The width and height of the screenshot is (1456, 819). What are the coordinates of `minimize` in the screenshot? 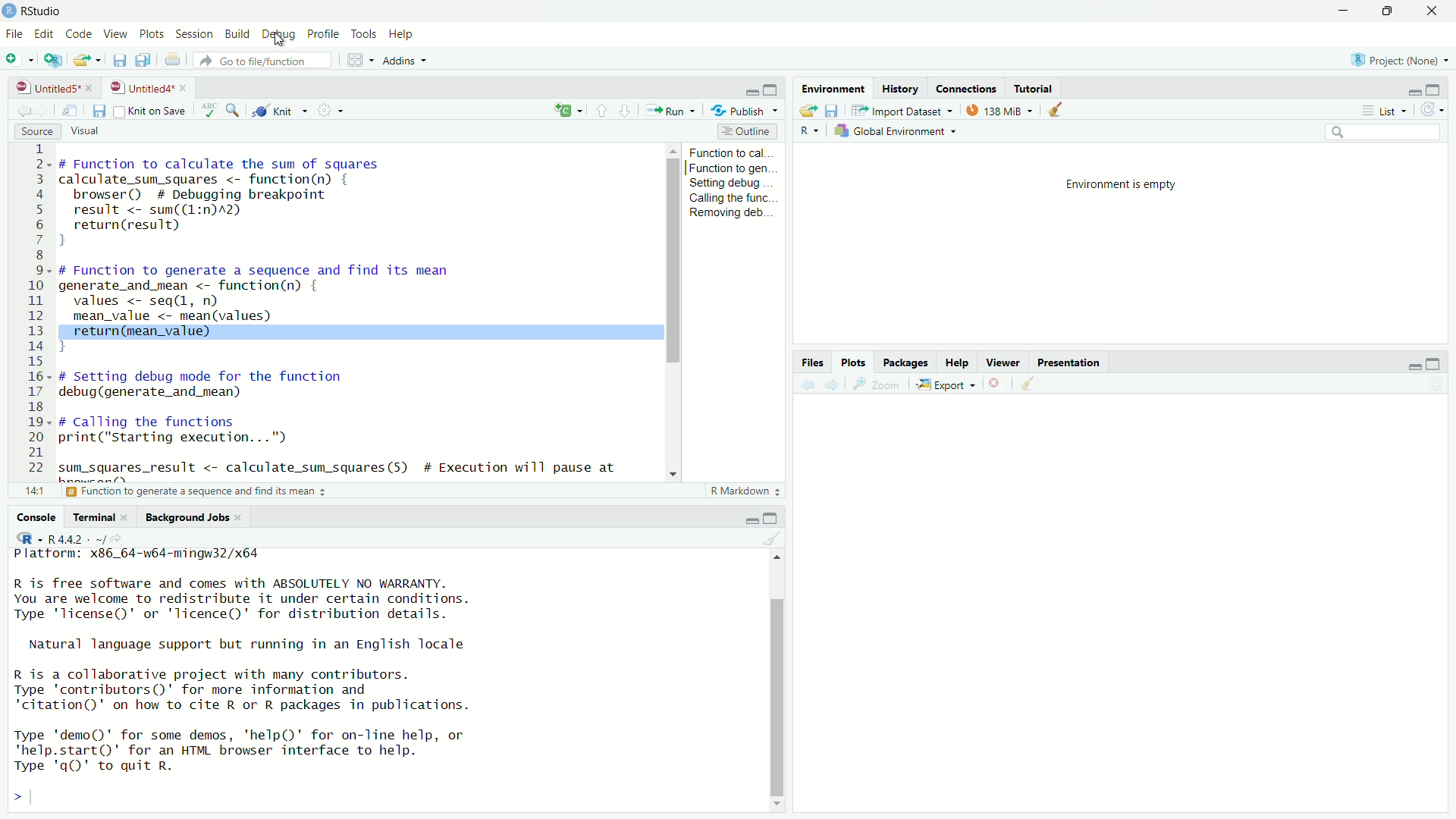 It's located at (1409, 90).